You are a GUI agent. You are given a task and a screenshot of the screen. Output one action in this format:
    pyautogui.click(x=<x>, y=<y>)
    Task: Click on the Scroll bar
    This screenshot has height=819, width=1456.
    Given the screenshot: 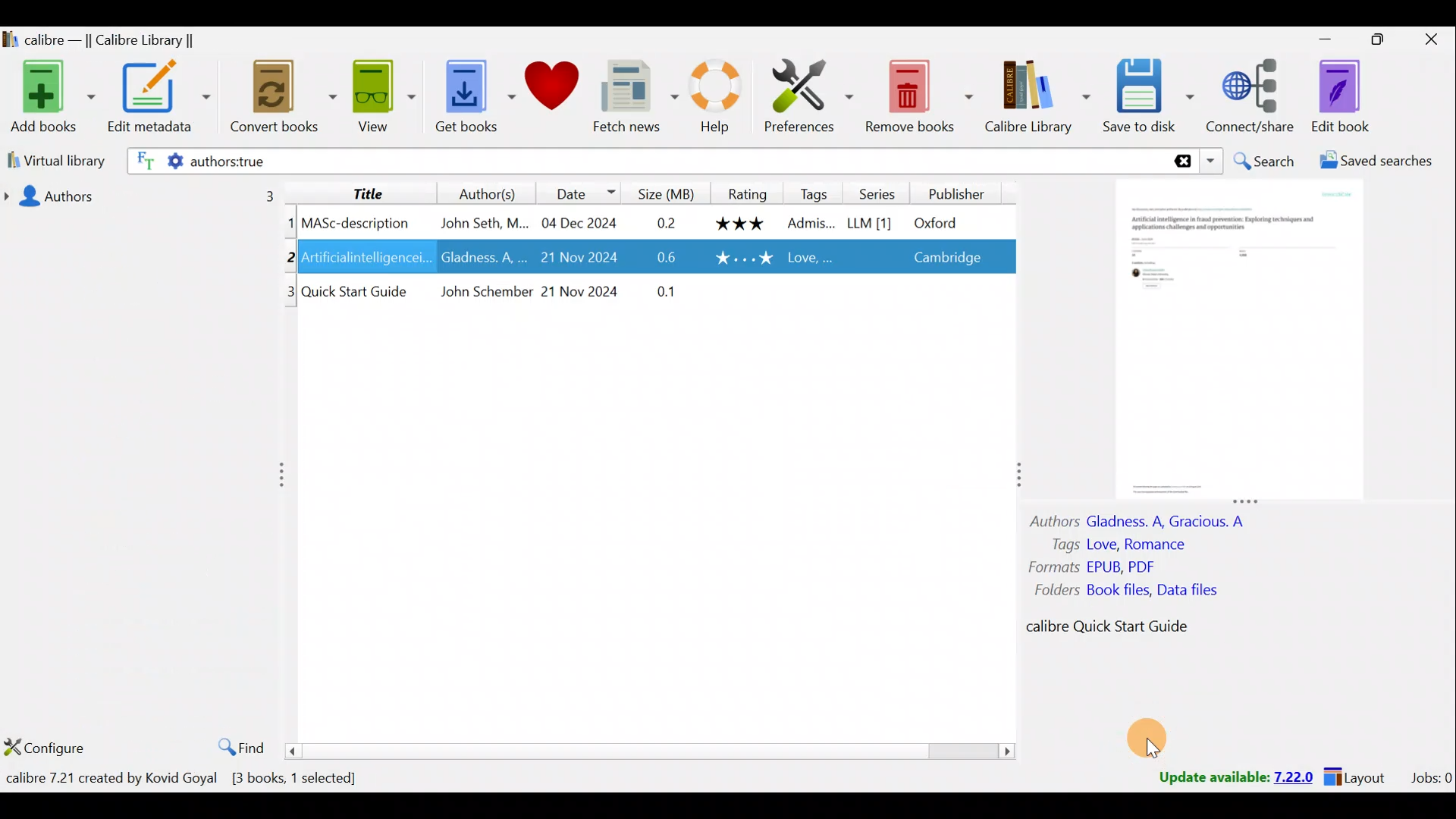 What is the action you would take?
    pyautogui.click(x=657, y=750)
    